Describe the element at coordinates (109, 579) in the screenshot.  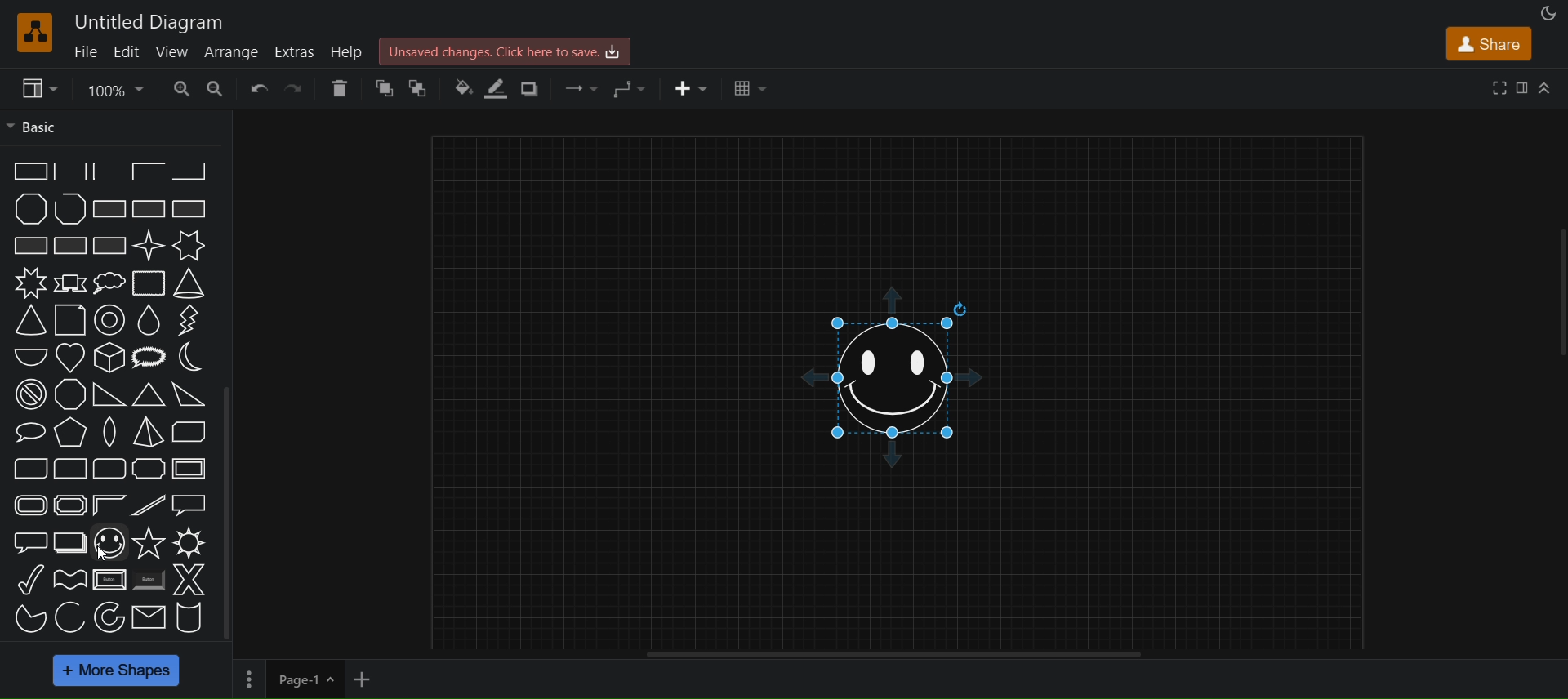
I see `button` at that location.